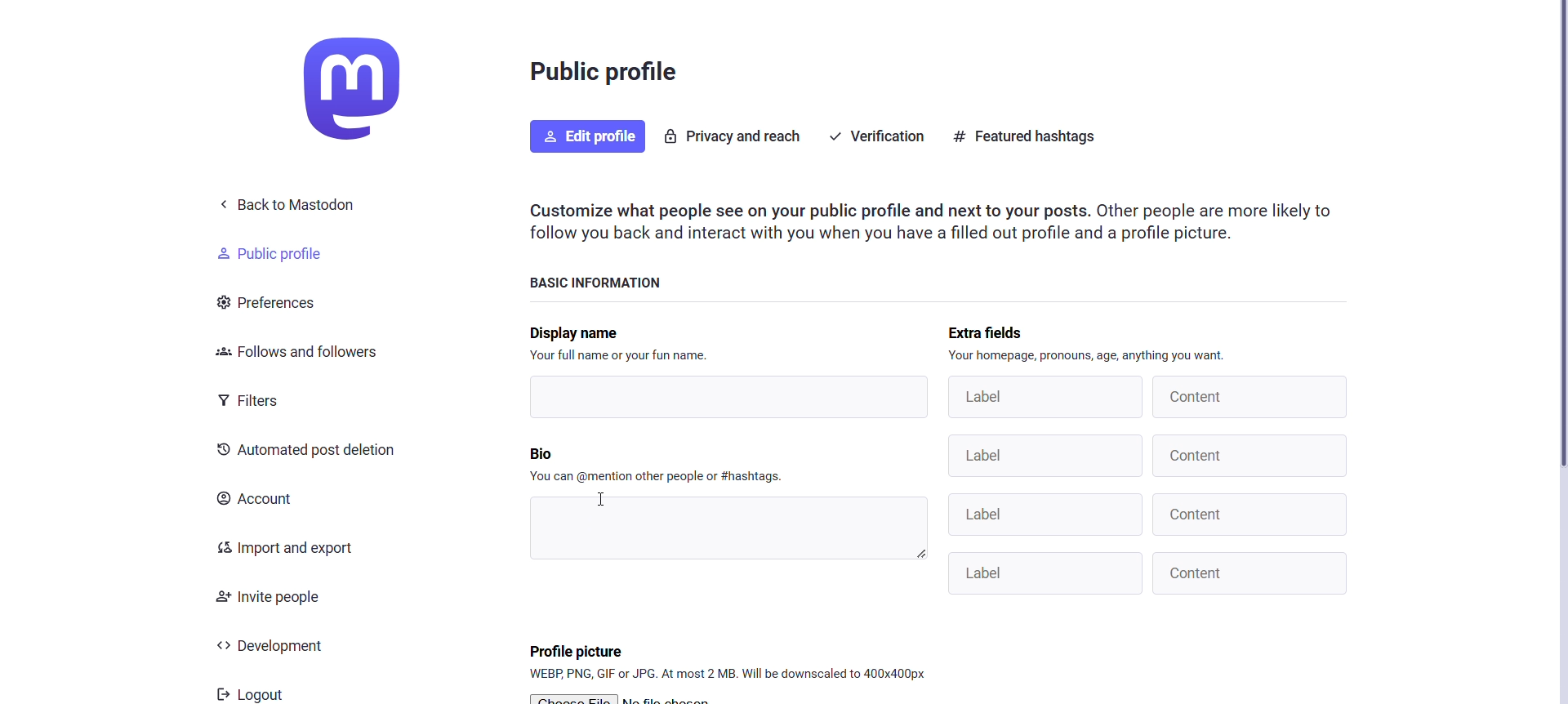 The height and width of the screenshot is (704, 1568). Describe the element at coordinates (264, 501) in the screenshot. I see `Account` at that location.